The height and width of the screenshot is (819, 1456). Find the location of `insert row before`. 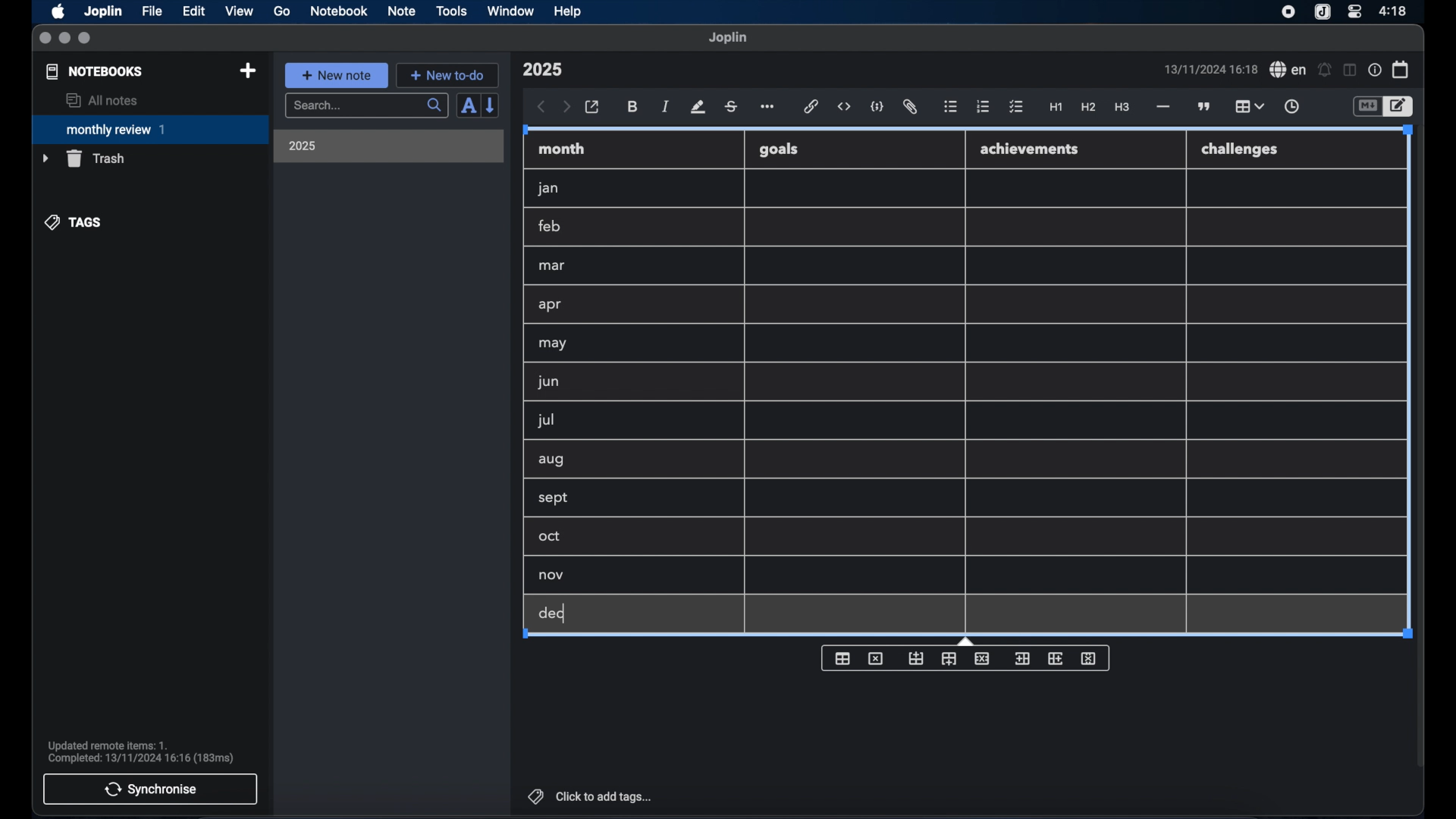

insert row before is located at coordinates (916, 658).